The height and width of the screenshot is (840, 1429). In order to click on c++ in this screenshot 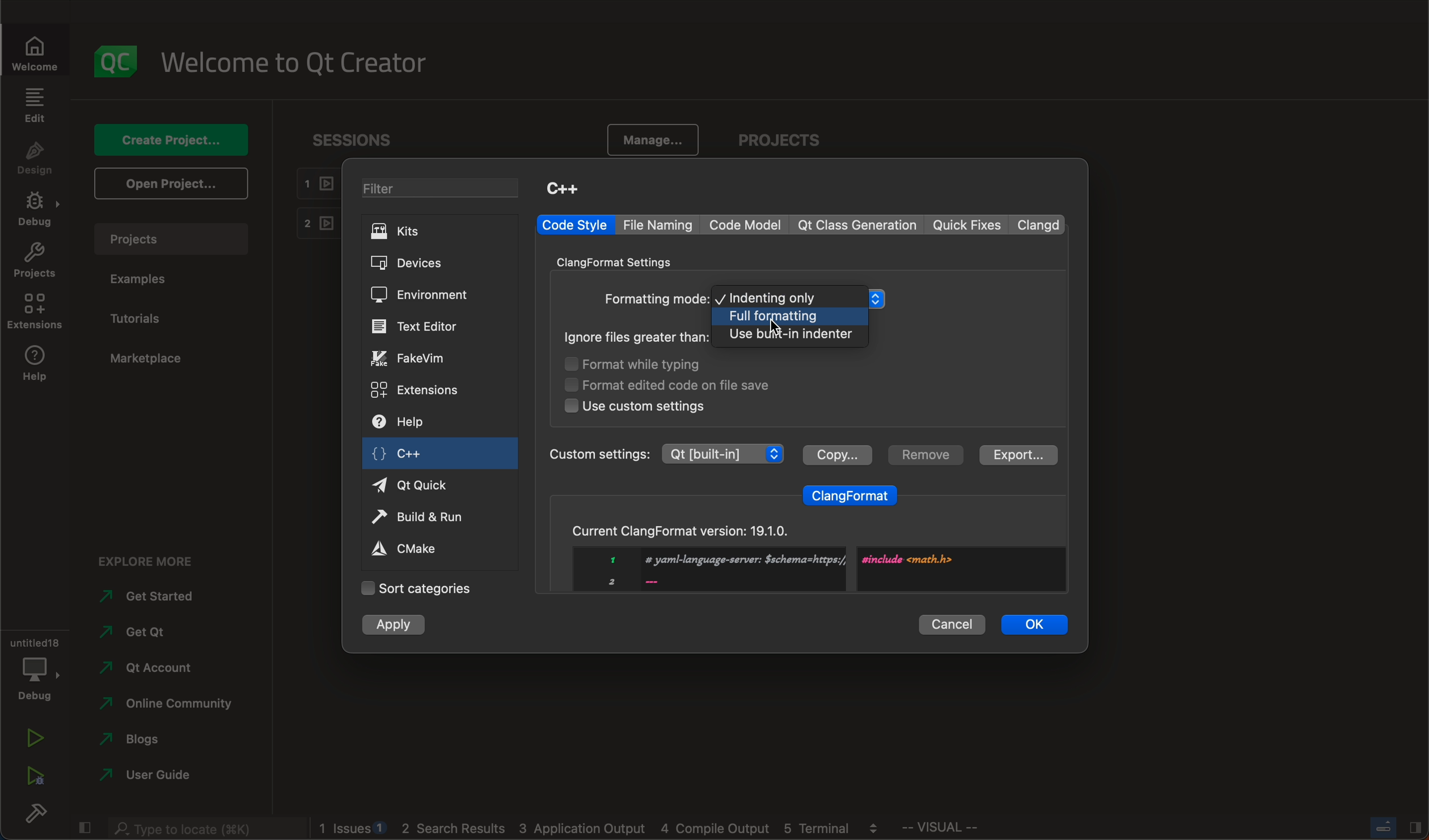, I will do `click(410, 456)`.